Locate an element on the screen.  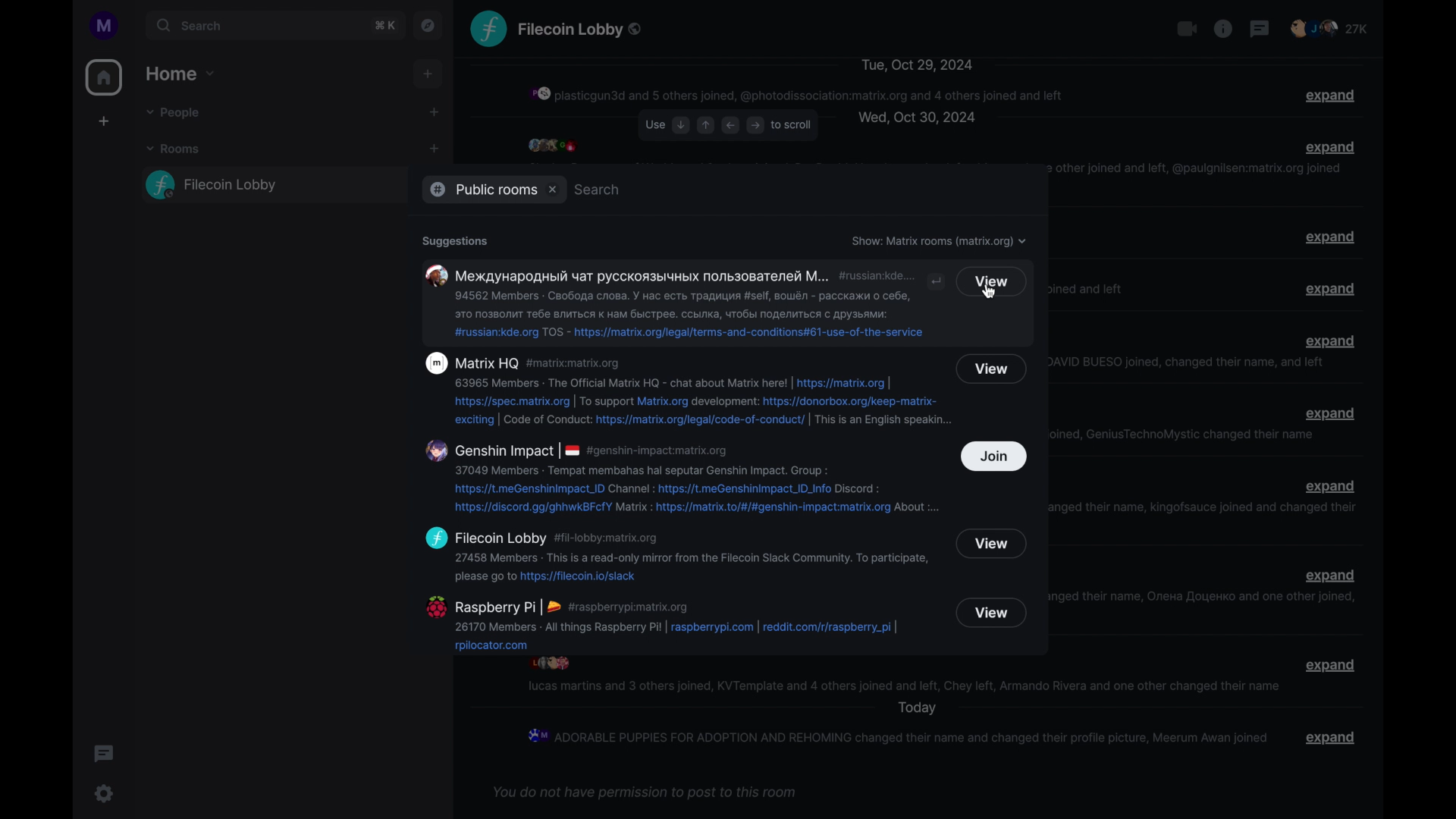
participants is located at coordinates (1329, 28).